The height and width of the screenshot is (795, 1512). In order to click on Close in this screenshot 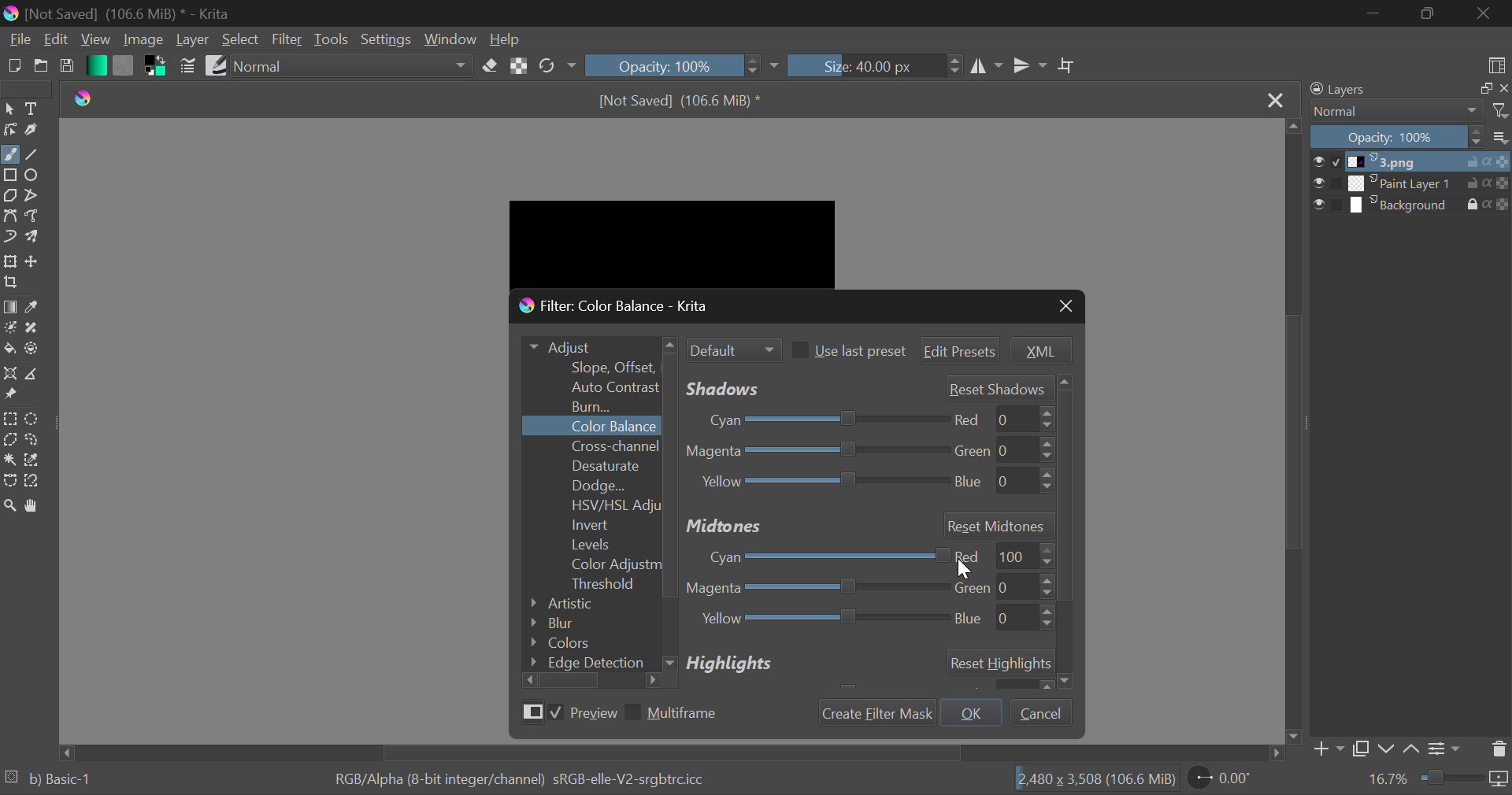, I will do `click(1276, 98)`.